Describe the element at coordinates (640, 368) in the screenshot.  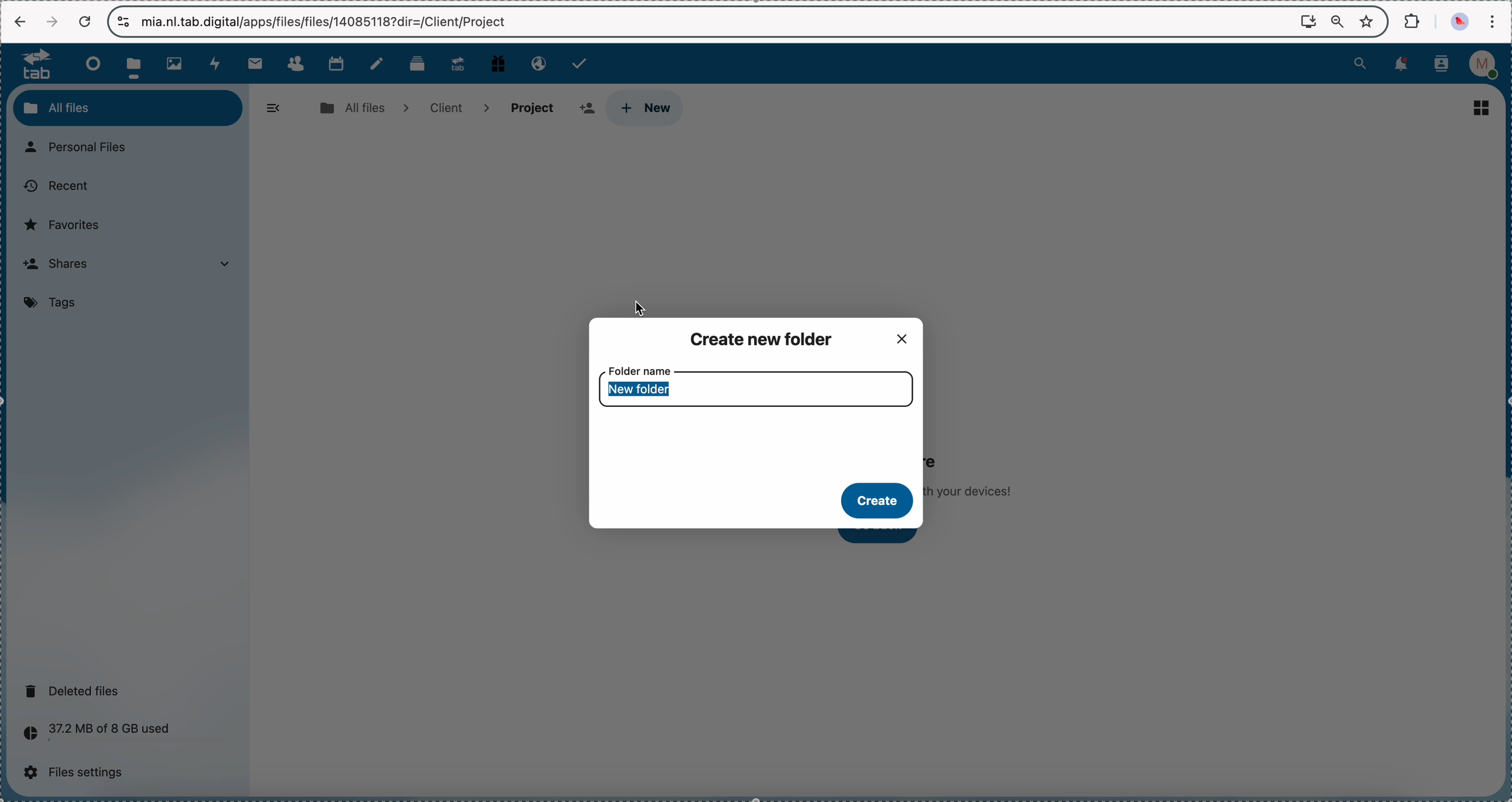
I see `folder name` at that location.